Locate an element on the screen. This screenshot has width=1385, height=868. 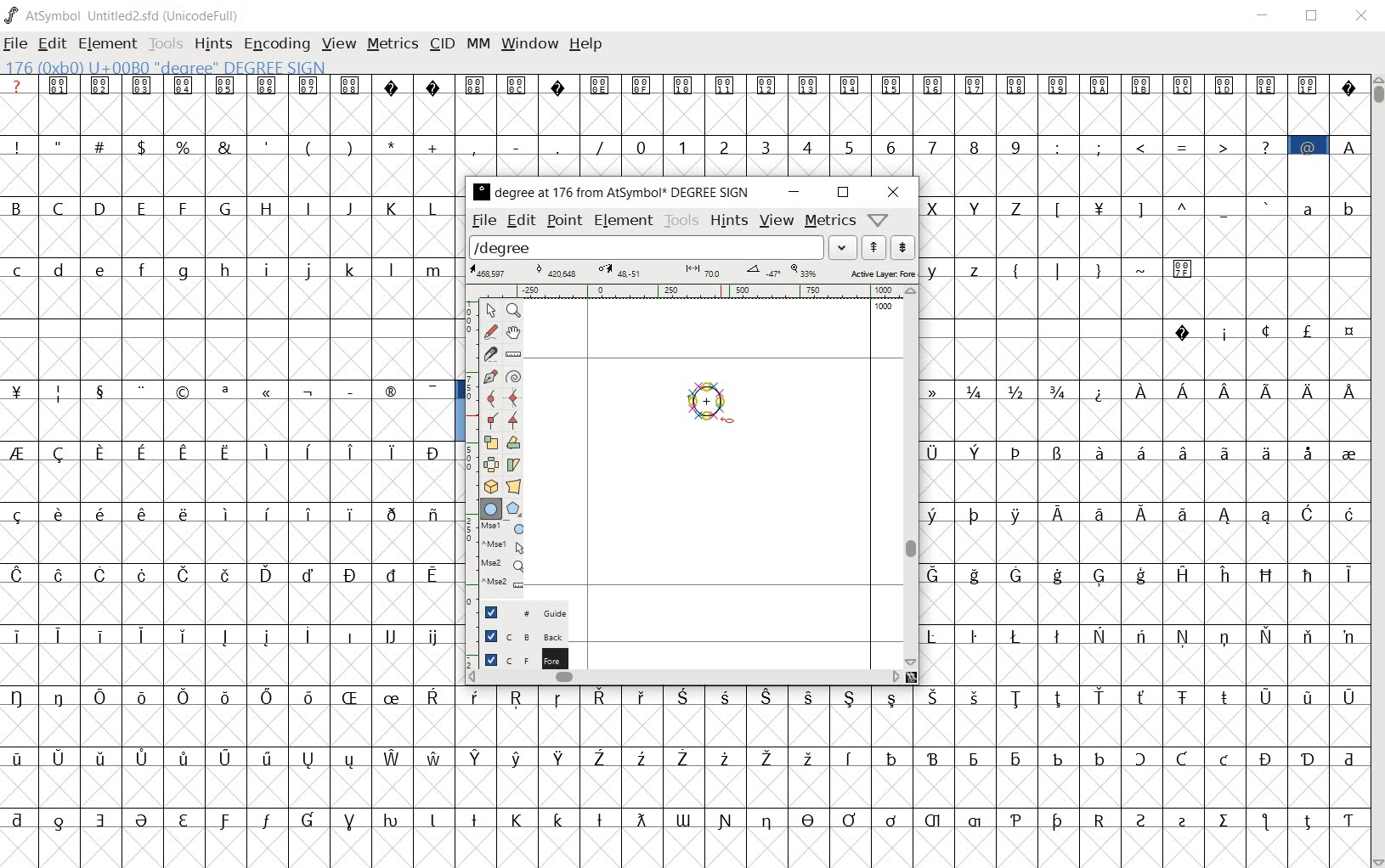
 is located at coordinates (229, 511).